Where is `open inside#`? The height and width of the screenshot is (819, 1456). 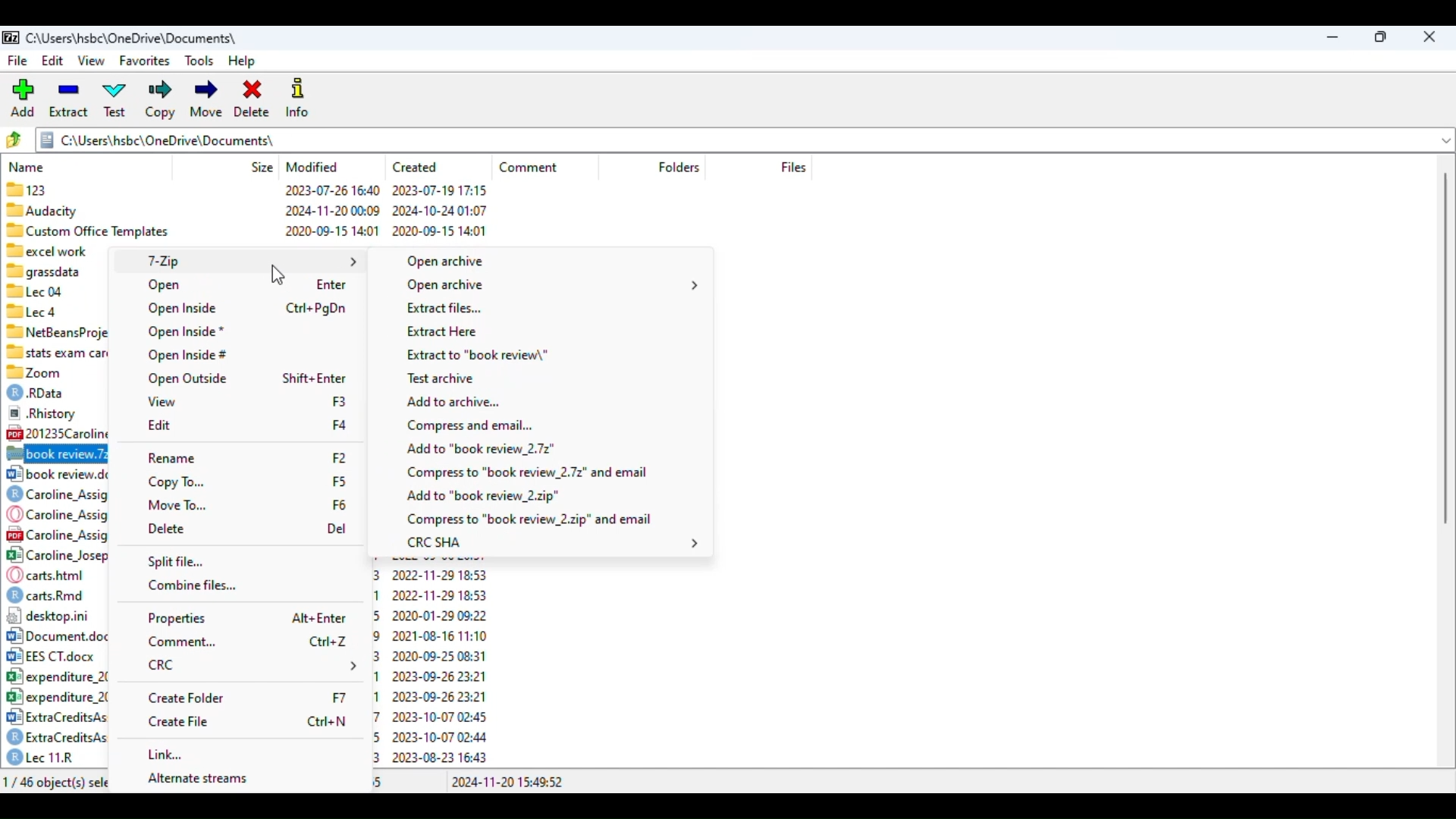 open inside# is located at coordinates (188, 355).